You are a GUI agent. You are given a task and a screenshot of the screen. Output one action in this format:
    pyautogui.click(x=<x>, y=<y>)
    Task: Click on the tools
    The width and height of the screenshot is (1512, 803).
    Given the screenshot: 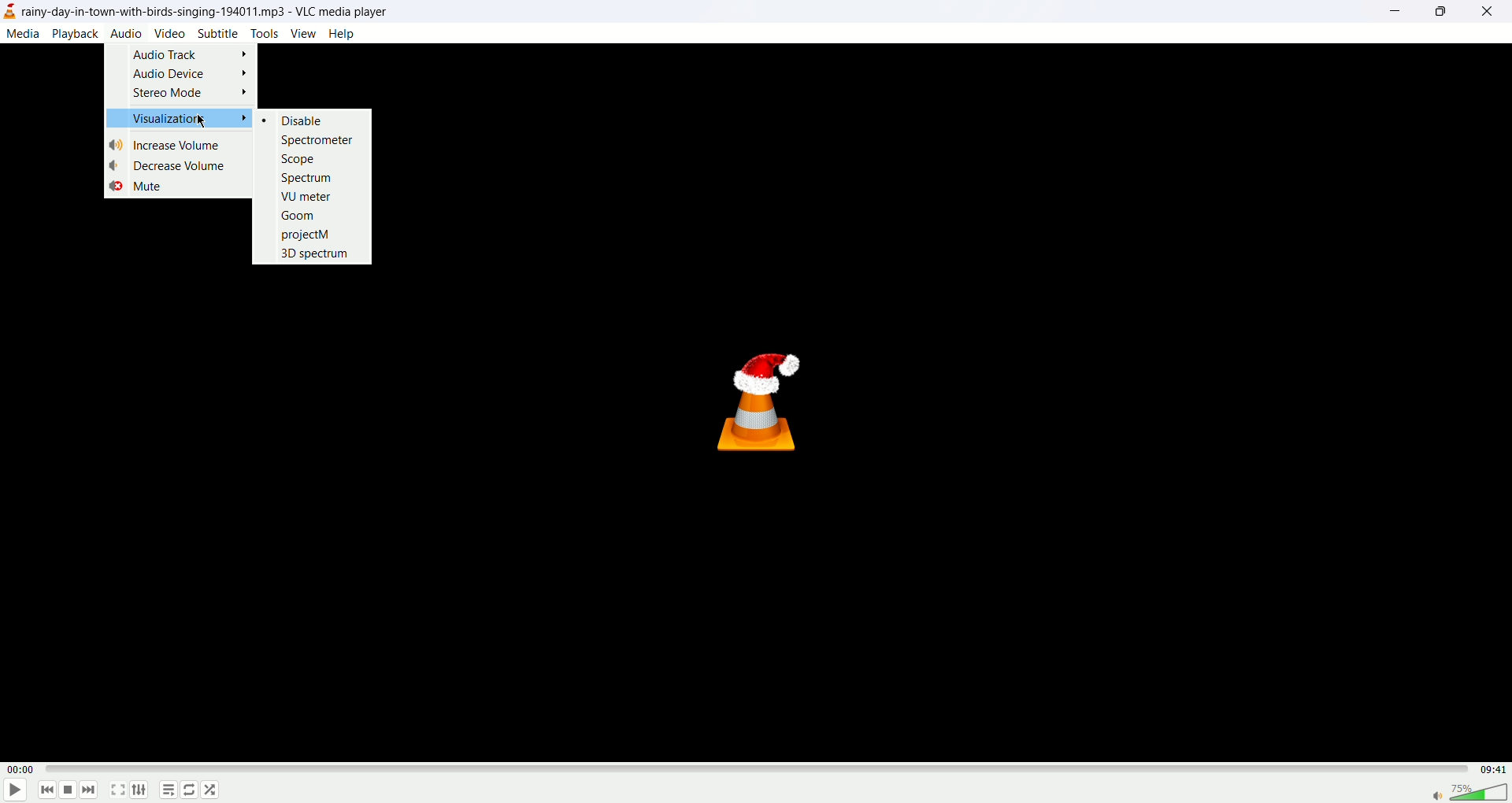 What is the action you would take?
    pyautogui.click(x=264, y=34)
    